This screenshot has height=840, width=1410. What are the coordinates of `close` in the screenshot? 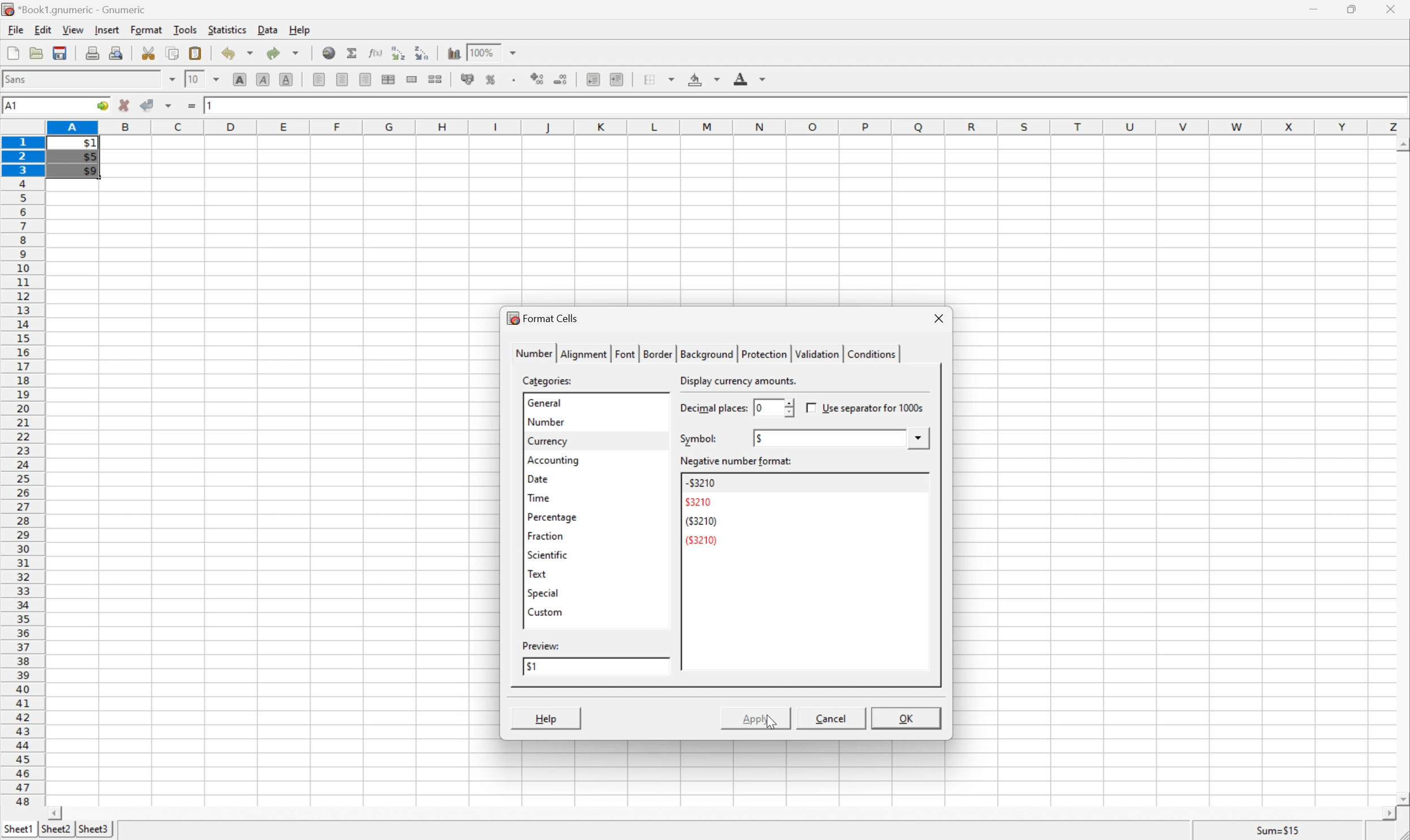 It's located at (1397, 9).